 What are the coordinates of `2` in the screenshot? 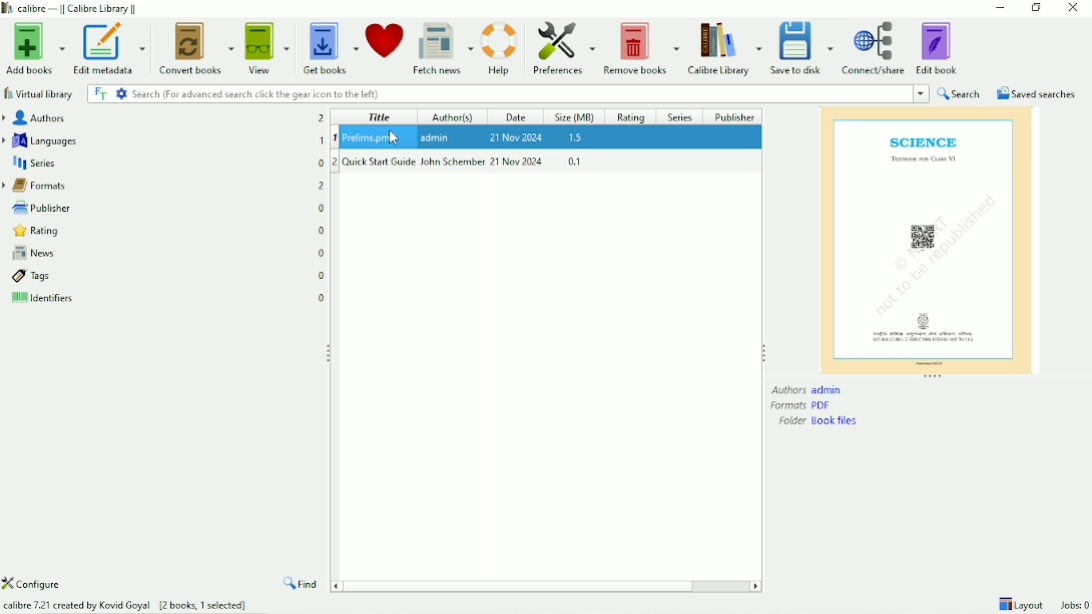 It's located at (335, 162).